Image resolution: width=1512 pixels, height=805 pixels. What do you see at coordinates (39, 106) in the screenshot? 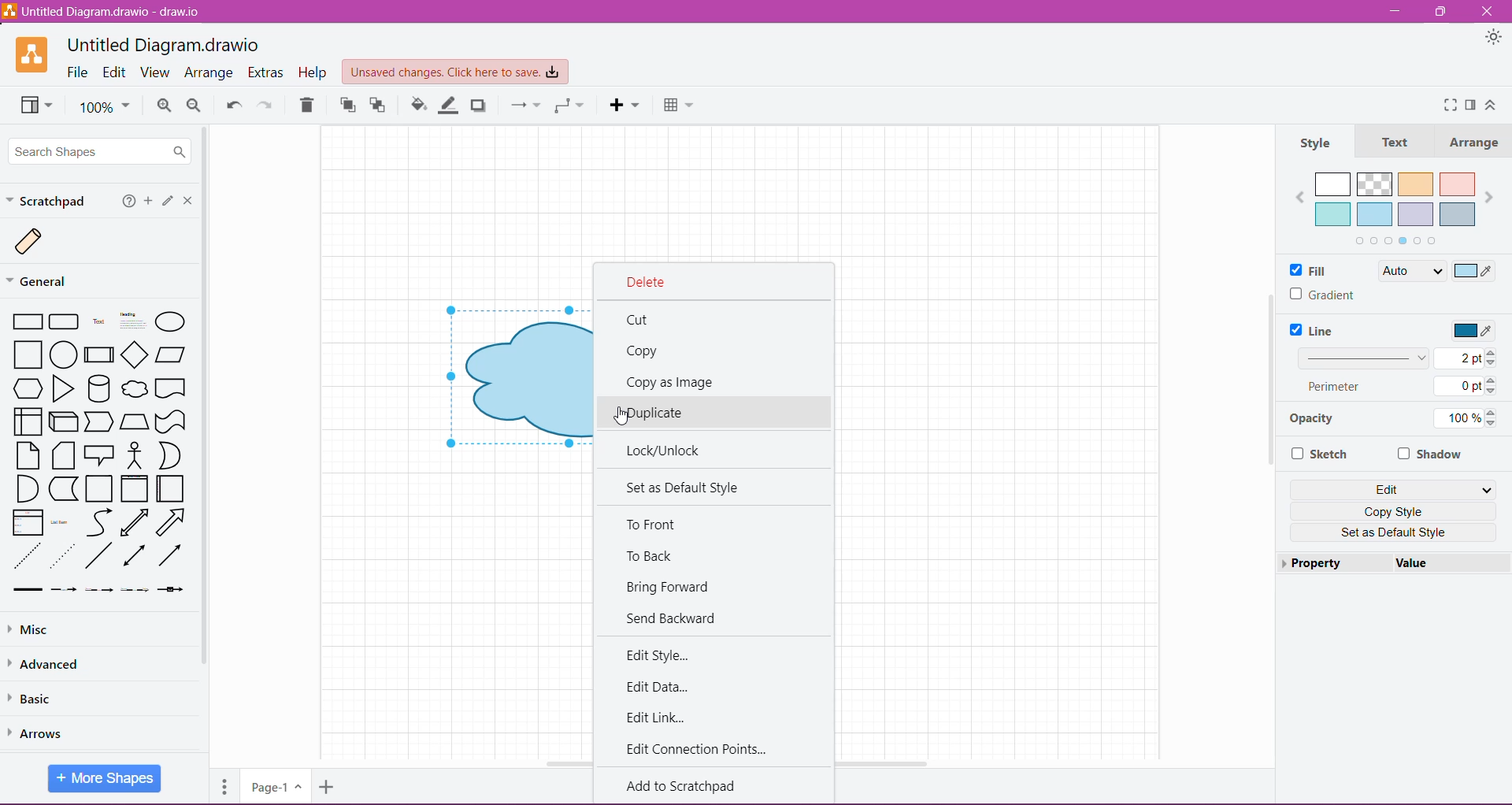
I see `View` at bounding box center [39, 106].